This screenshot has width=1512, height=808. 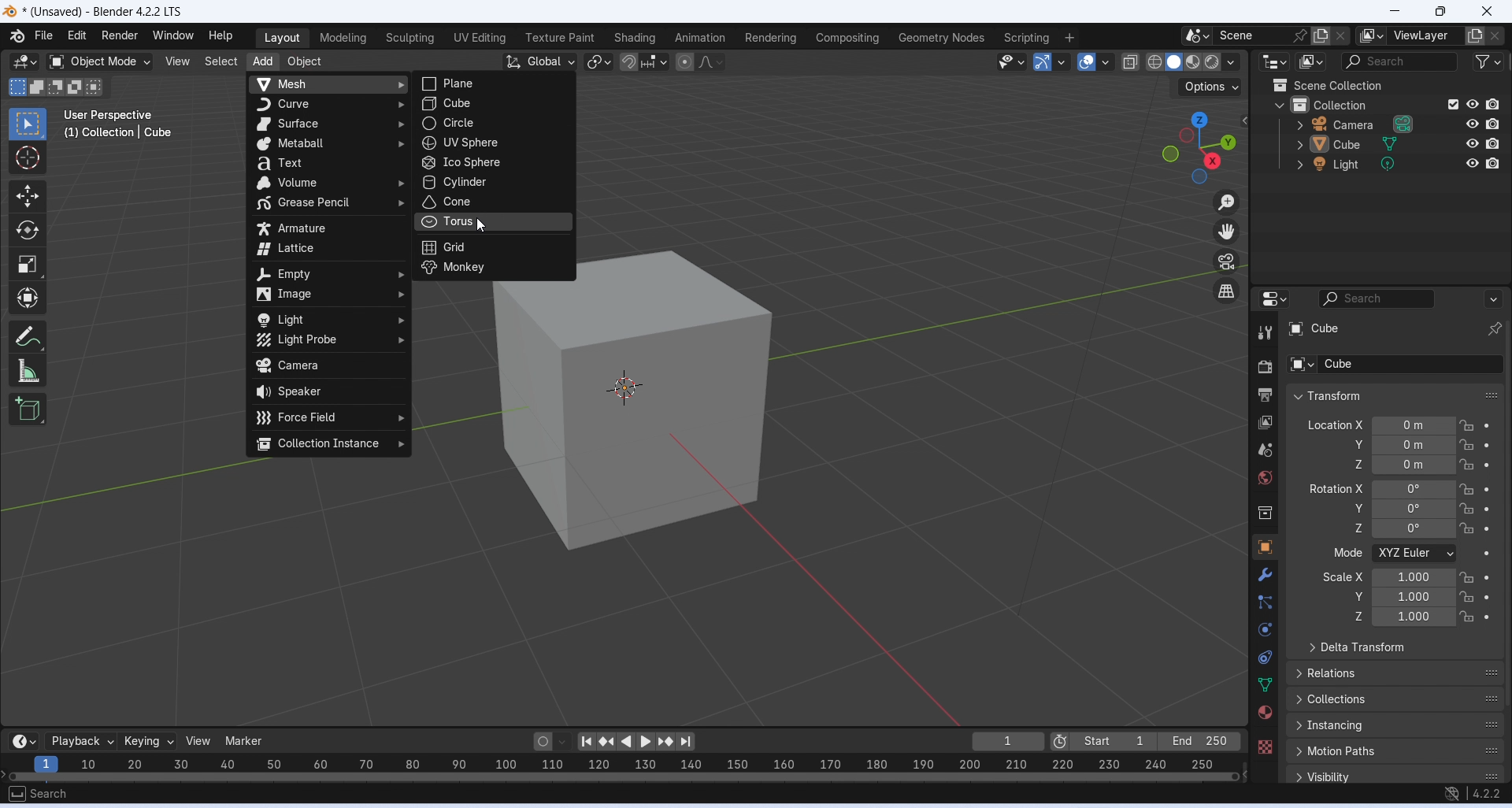 What do you see at coordinates (1439, 11) in the screenshot?
I see `Maximize` at bounding box center [1439, 11].